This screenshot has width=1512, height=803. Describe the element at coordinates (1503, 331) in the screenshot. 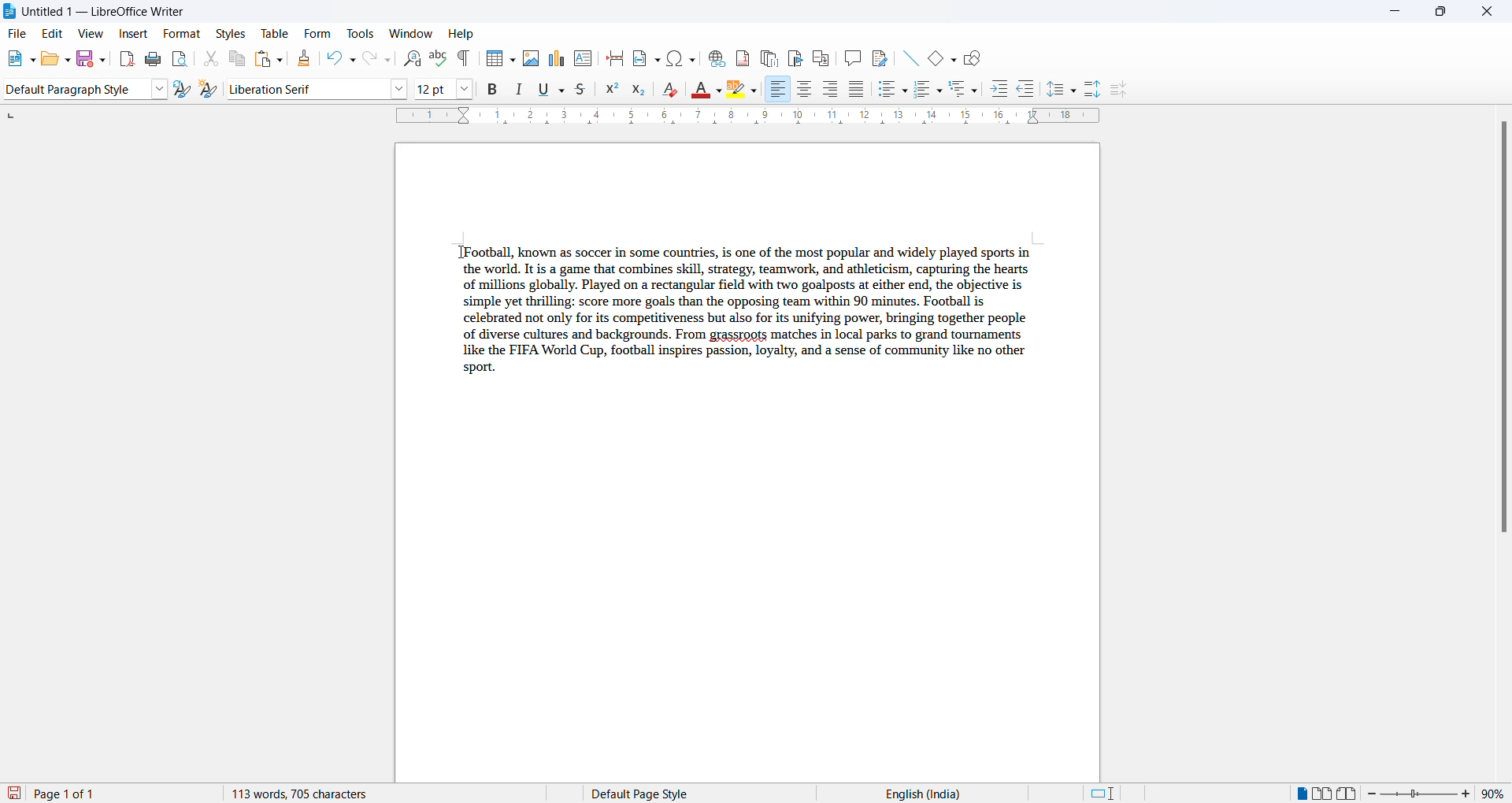

I see `scrollbar` at that location.